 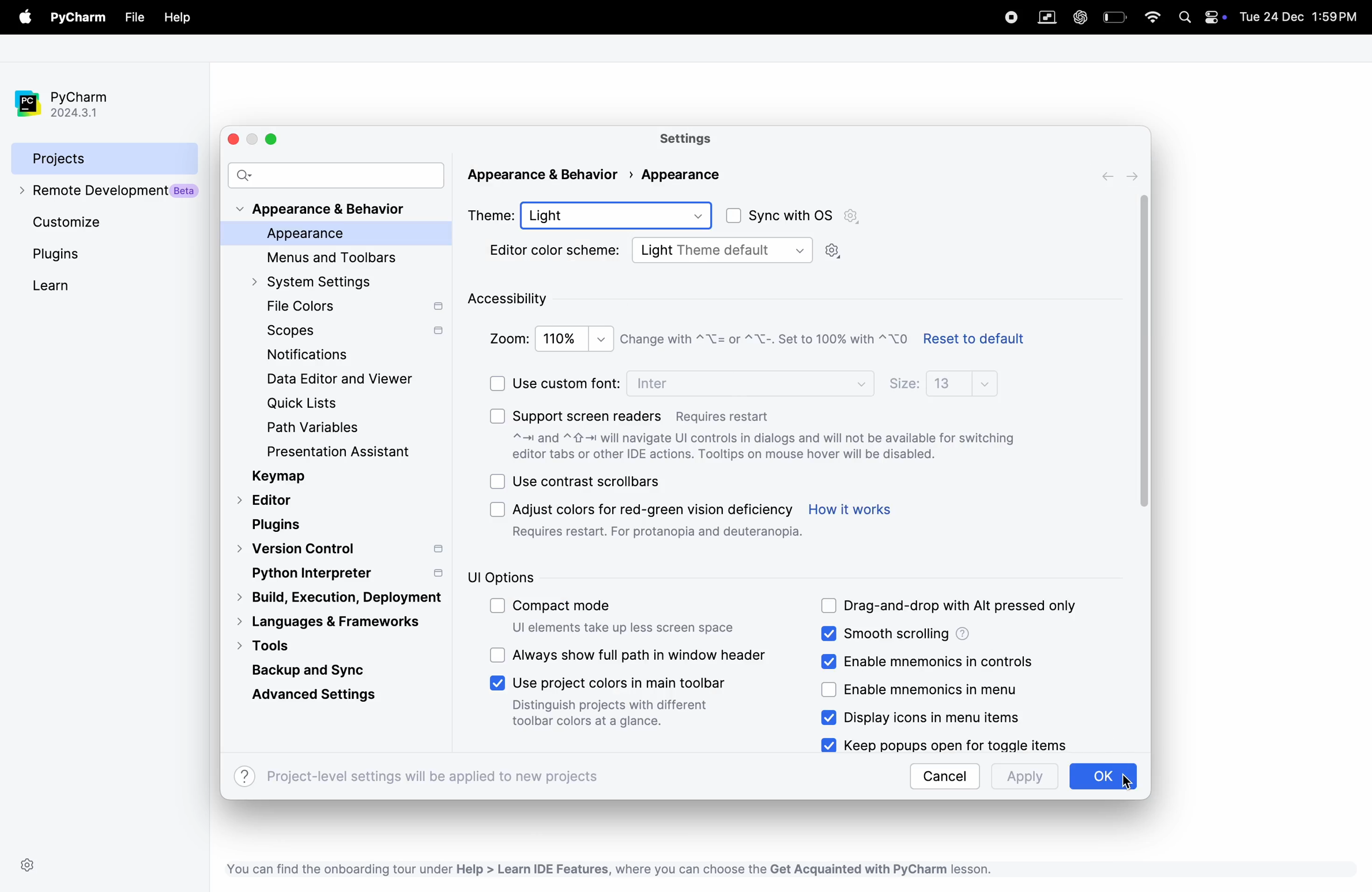 I want to click on check boxes, so click(x=497, y=415).